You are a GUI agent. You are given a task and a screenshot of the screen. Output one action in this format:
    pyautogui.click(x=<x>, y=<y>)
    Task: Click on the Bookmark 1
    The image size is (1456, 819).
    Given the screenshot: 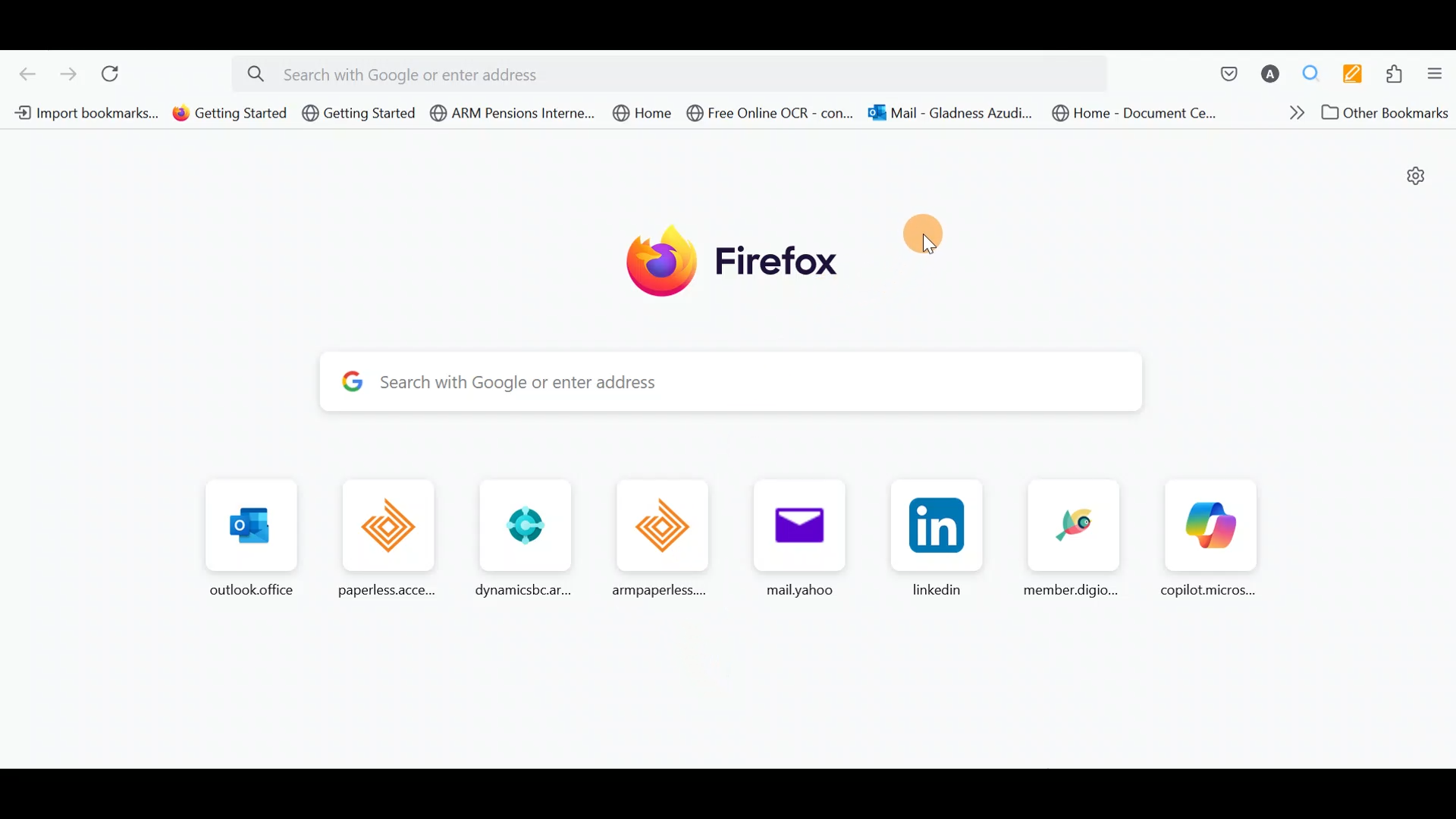 What is the action you would take?
    pyautogui.click(x=81, y=111)
    